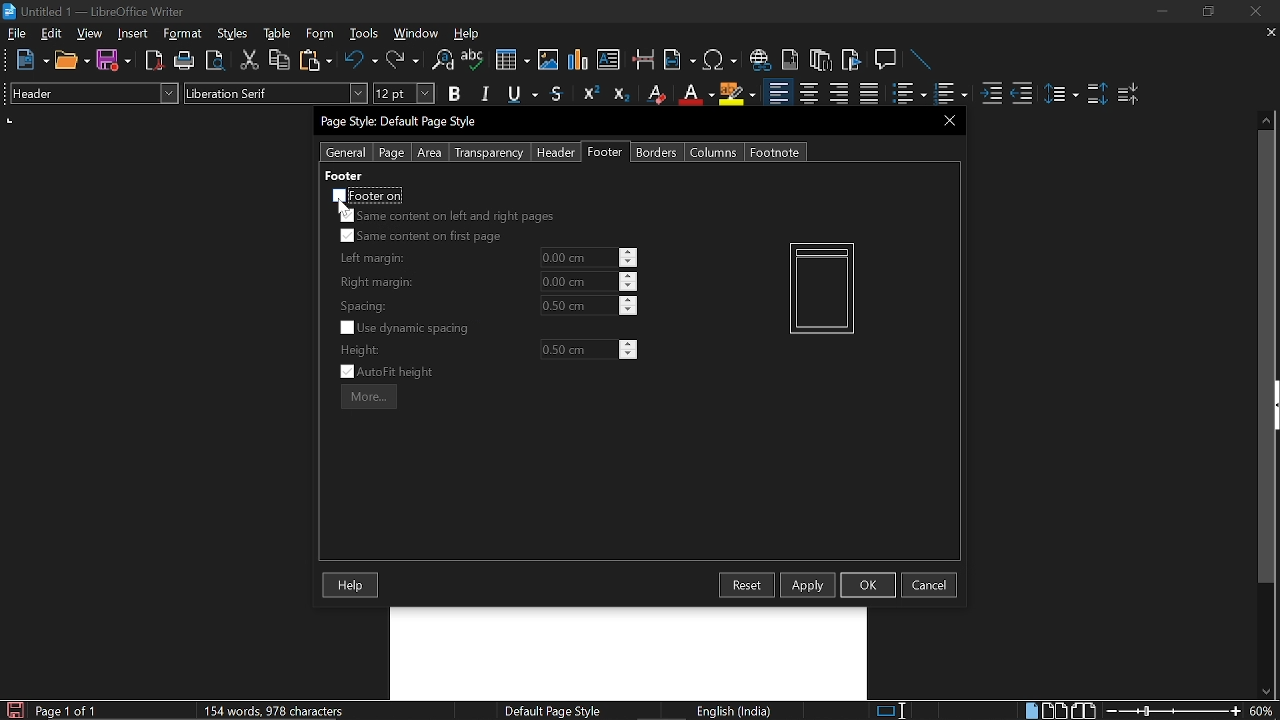  What do you see at coordinates (1254, 12) in the screenshot?
I see `Close` at bounding box center [1254, 12].